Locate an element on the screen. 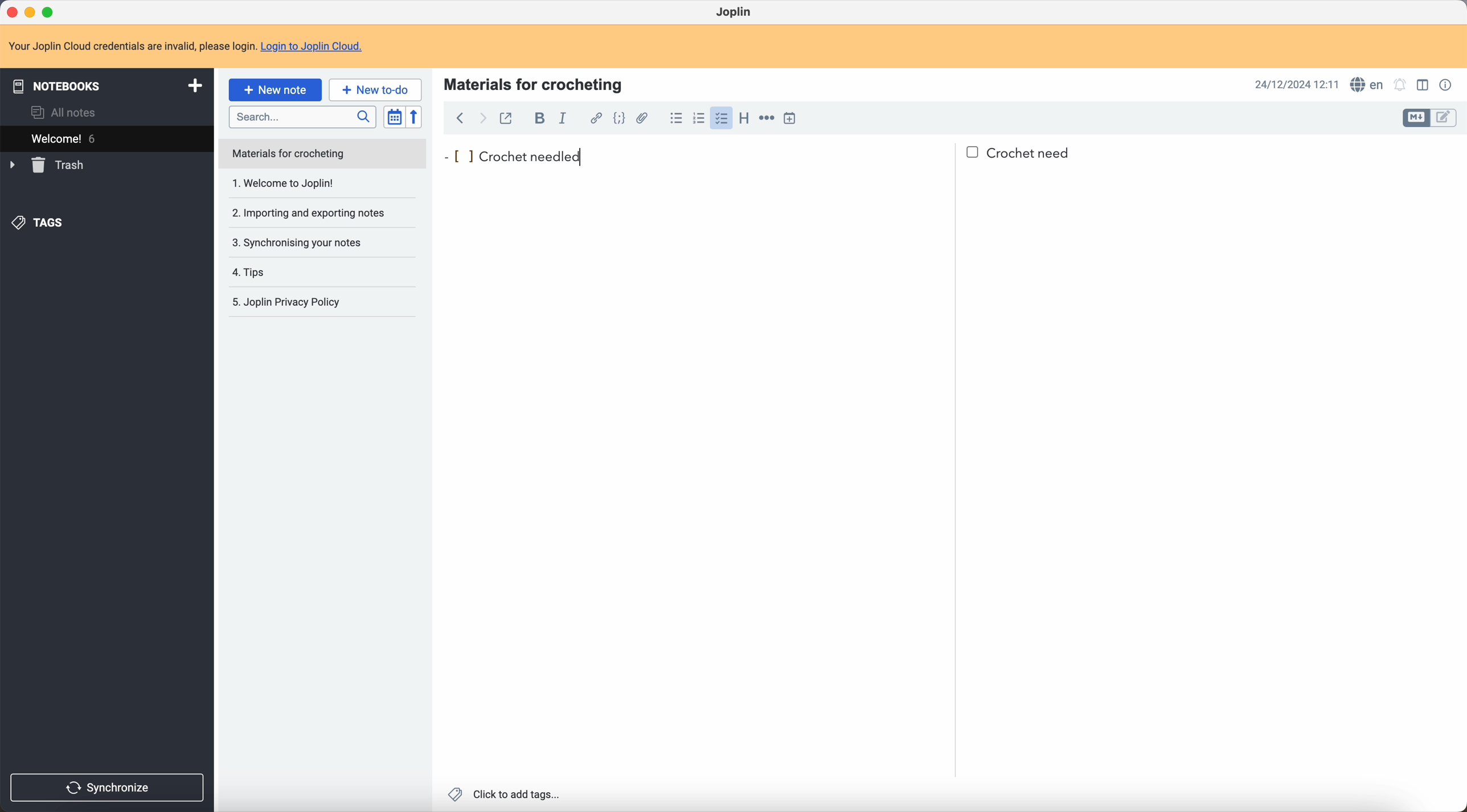 This screenshot has height=812, width=1467. 1. Welcome to Joplin! is located at coordinates (315, 184).